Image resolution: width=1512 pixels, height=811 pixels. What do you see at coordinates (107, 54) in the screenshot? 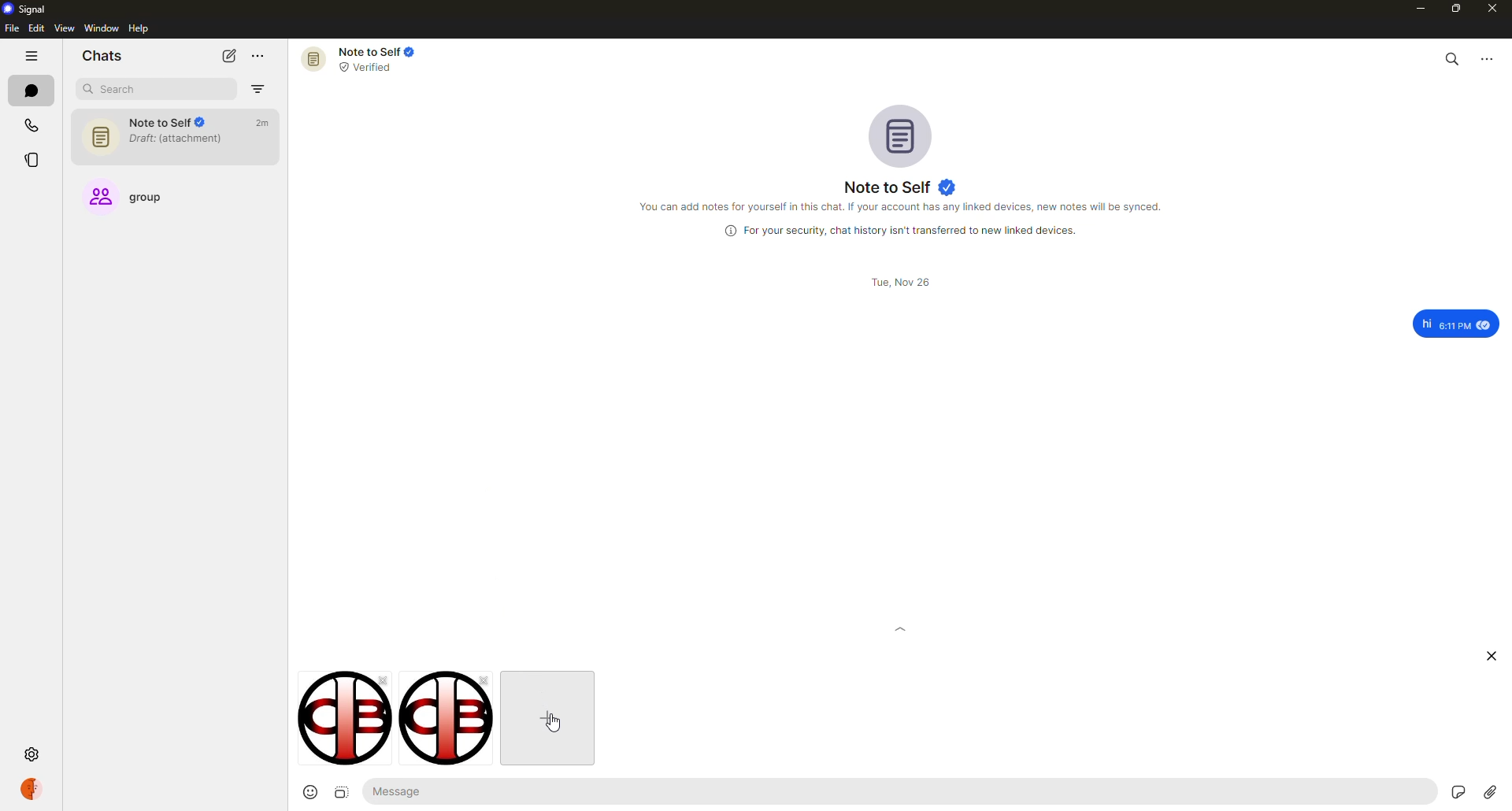
I see `chats` at bounding box center [107, 54].